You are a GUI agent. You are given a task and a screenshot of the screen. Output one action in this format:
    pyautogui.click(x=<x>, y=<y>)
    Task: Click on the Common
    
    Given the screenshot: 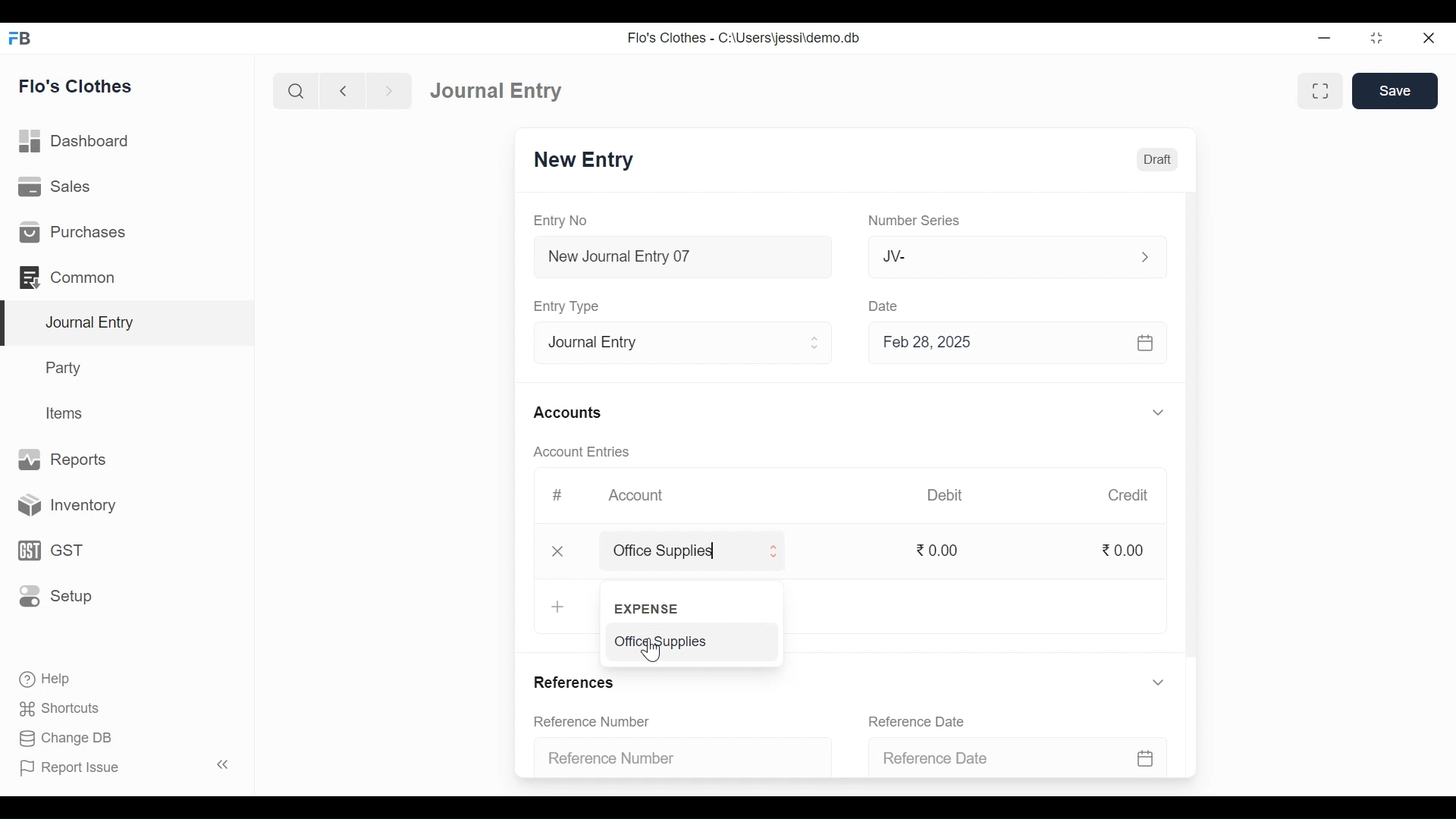 What is the action you would take?
    pyautogui.click(x=70, y=277)
    